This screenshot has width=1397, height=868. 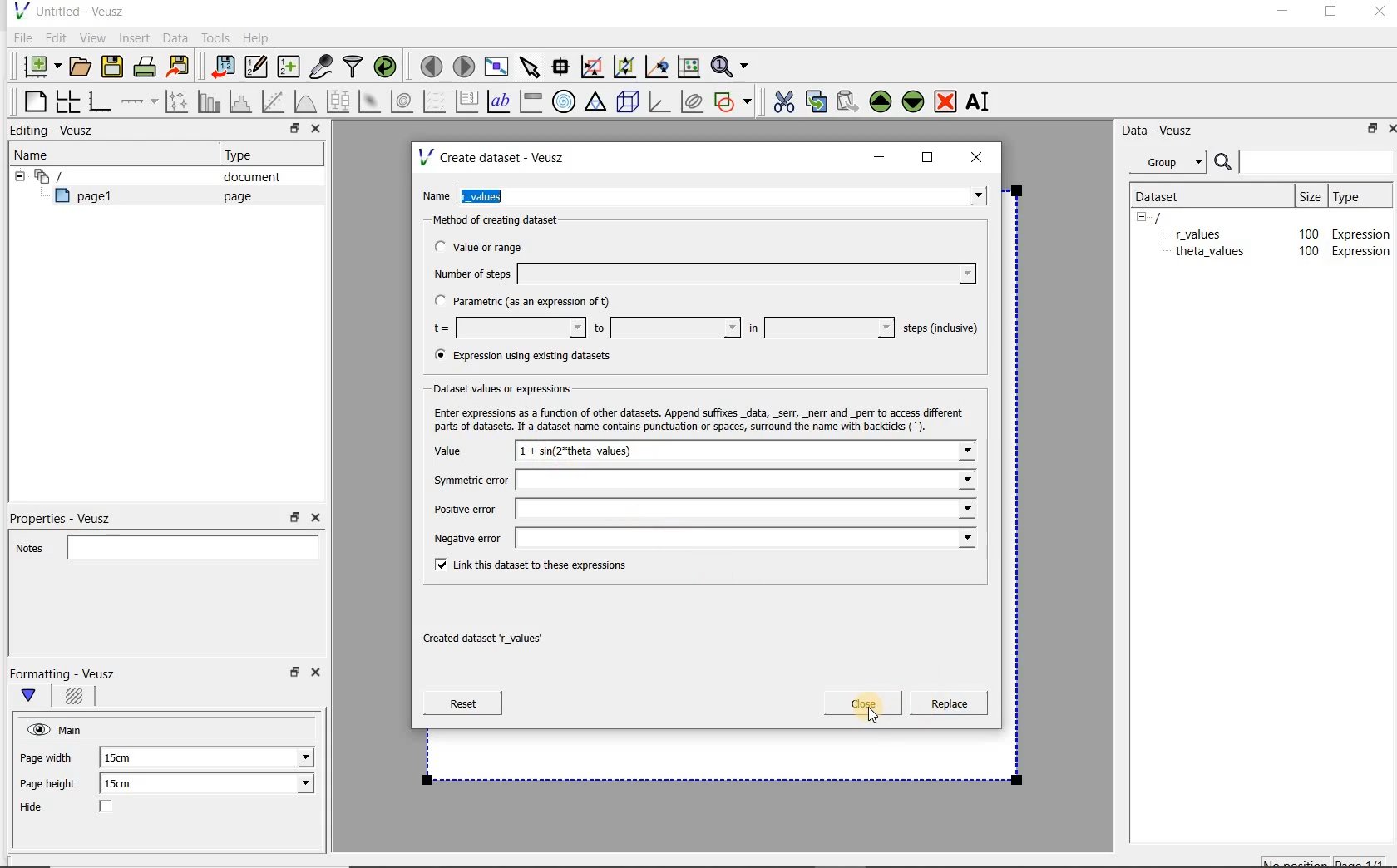 What do you see at coordinates (1368, 131) in the screenshot?
I see `restore down` at bounding box center [1368, 131].